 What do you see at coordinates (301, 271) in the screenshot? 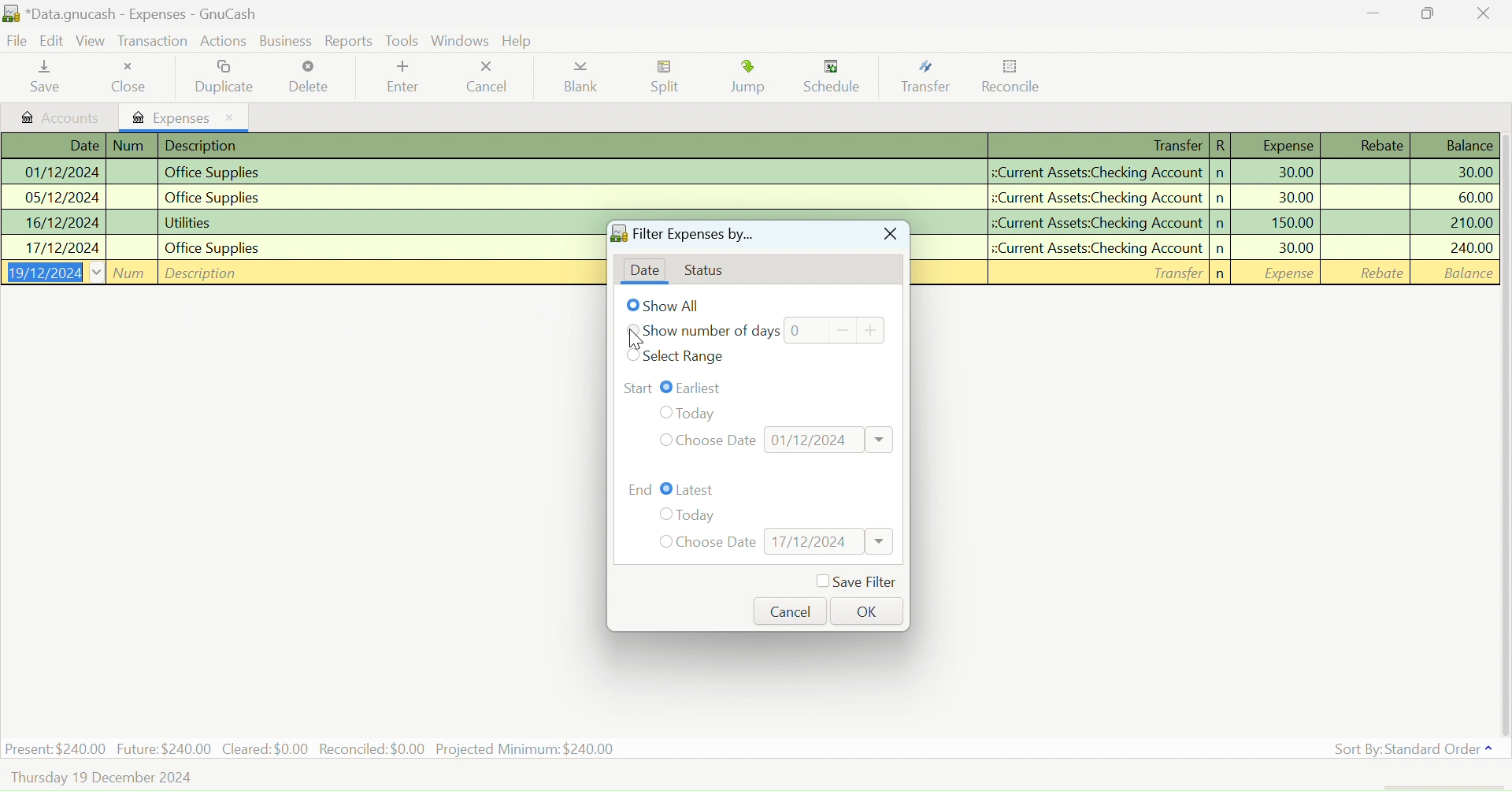
I see `New Entry Field` at bounding box center [301, 271].